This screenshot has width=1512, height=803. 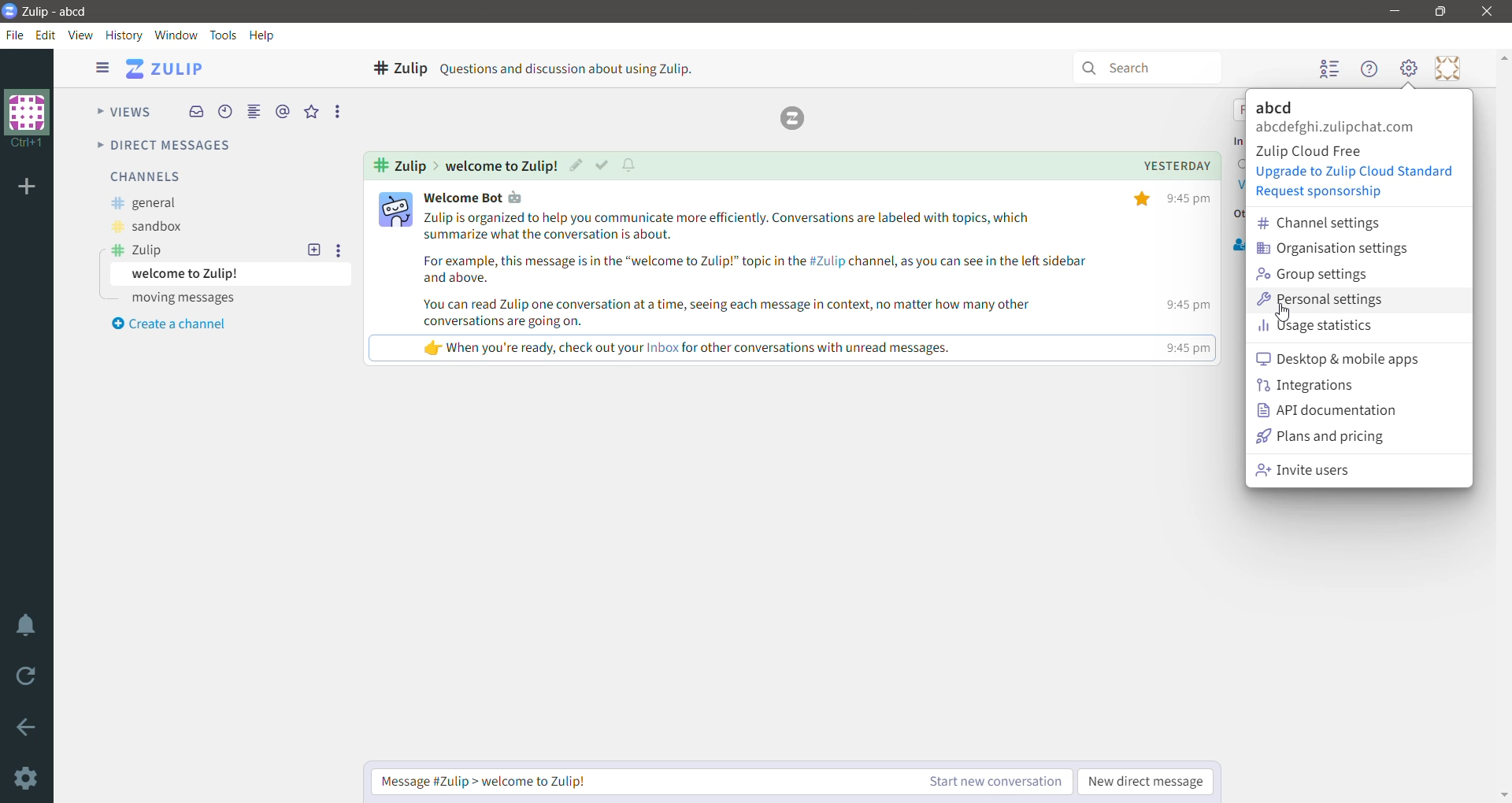 I want to click on user profile, so click(x=396, y=209).